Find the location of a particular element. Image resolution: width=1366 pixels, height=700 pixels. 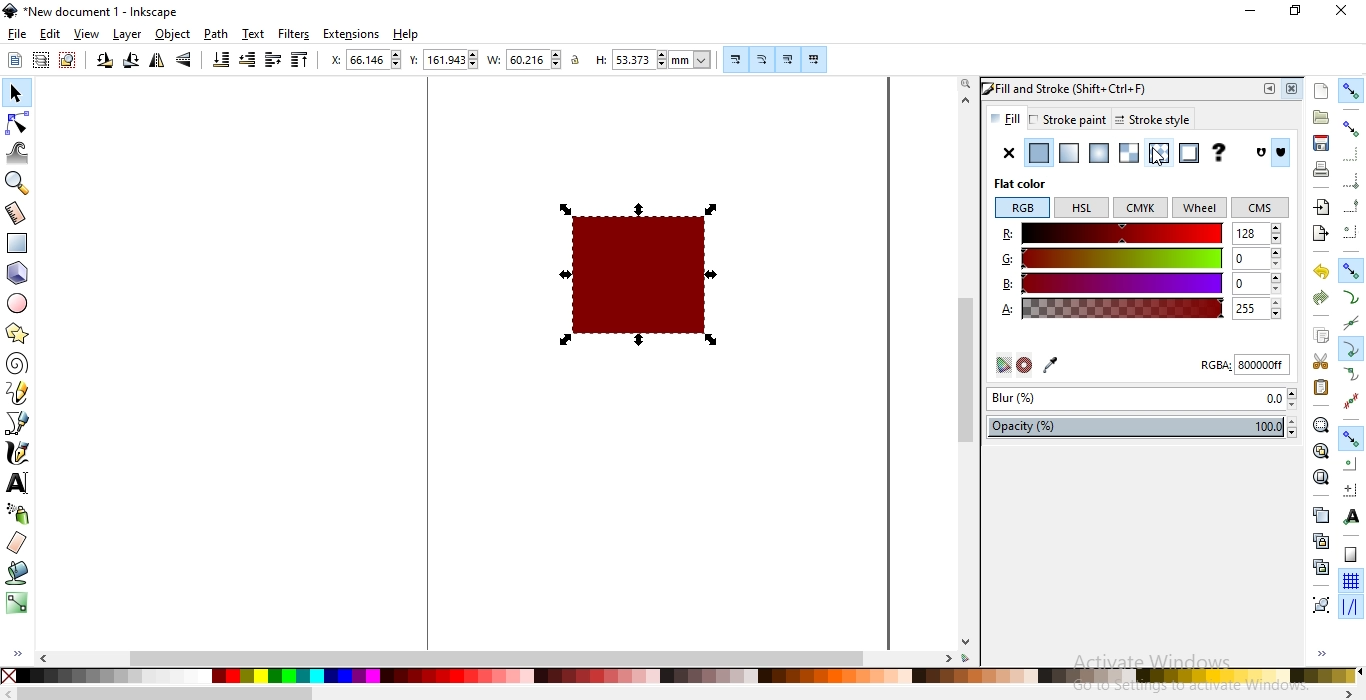

snap centers to objects is located at coordinates (1350, 464).